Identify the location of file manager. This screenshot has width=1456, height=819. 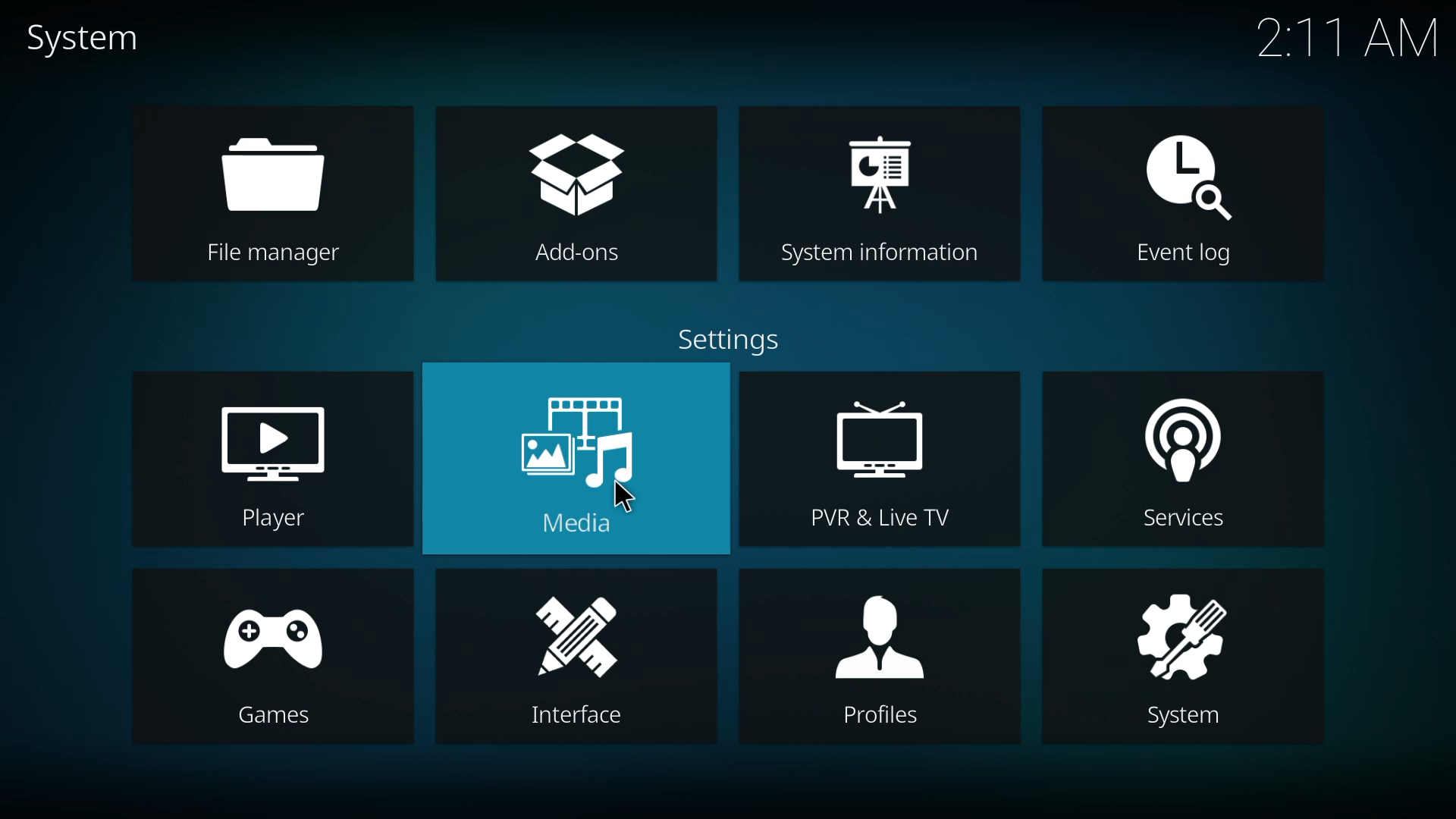
(271, 197).